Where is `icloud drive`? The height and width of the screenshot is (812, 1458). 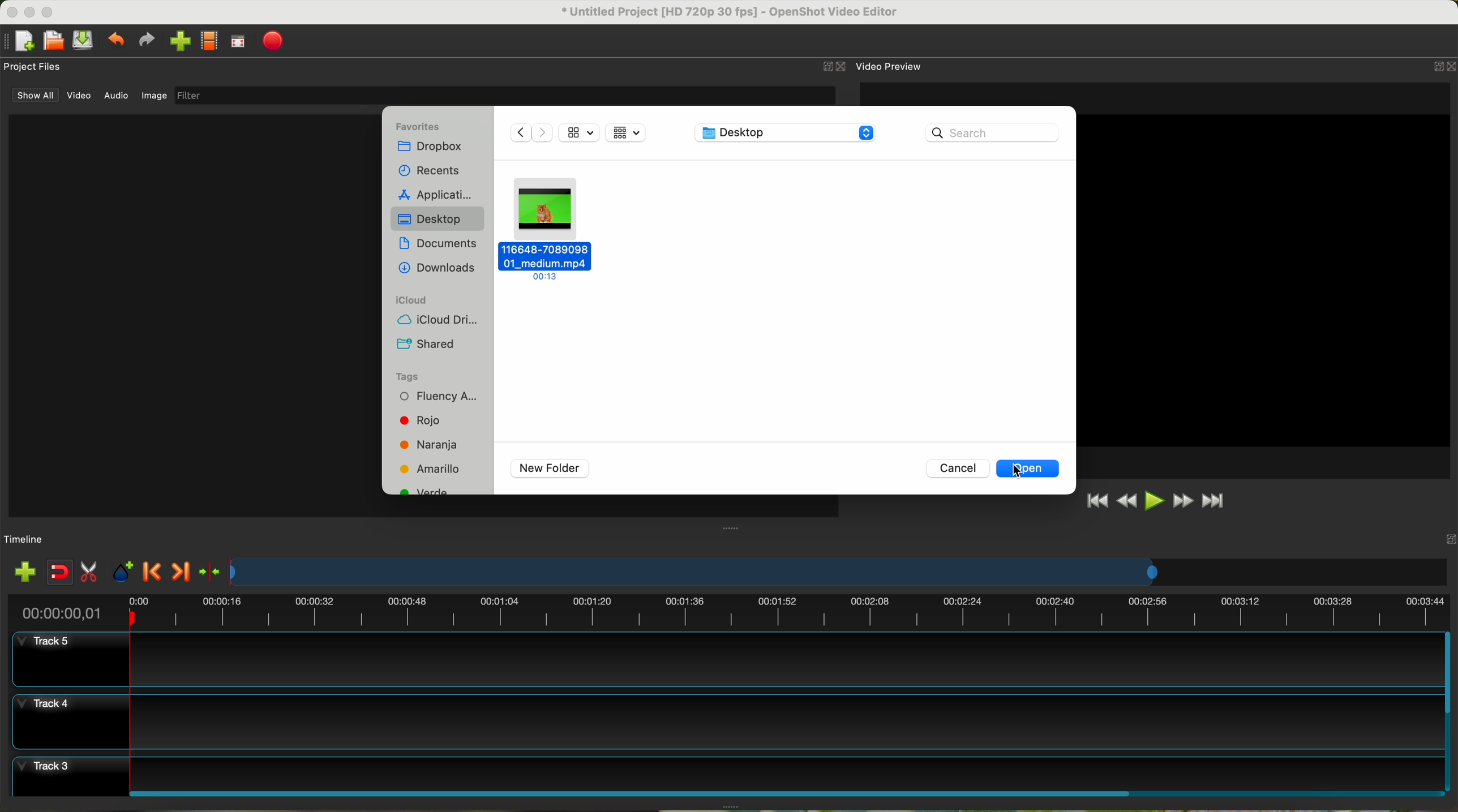
icloud drive is located at coordinates (432, 321).